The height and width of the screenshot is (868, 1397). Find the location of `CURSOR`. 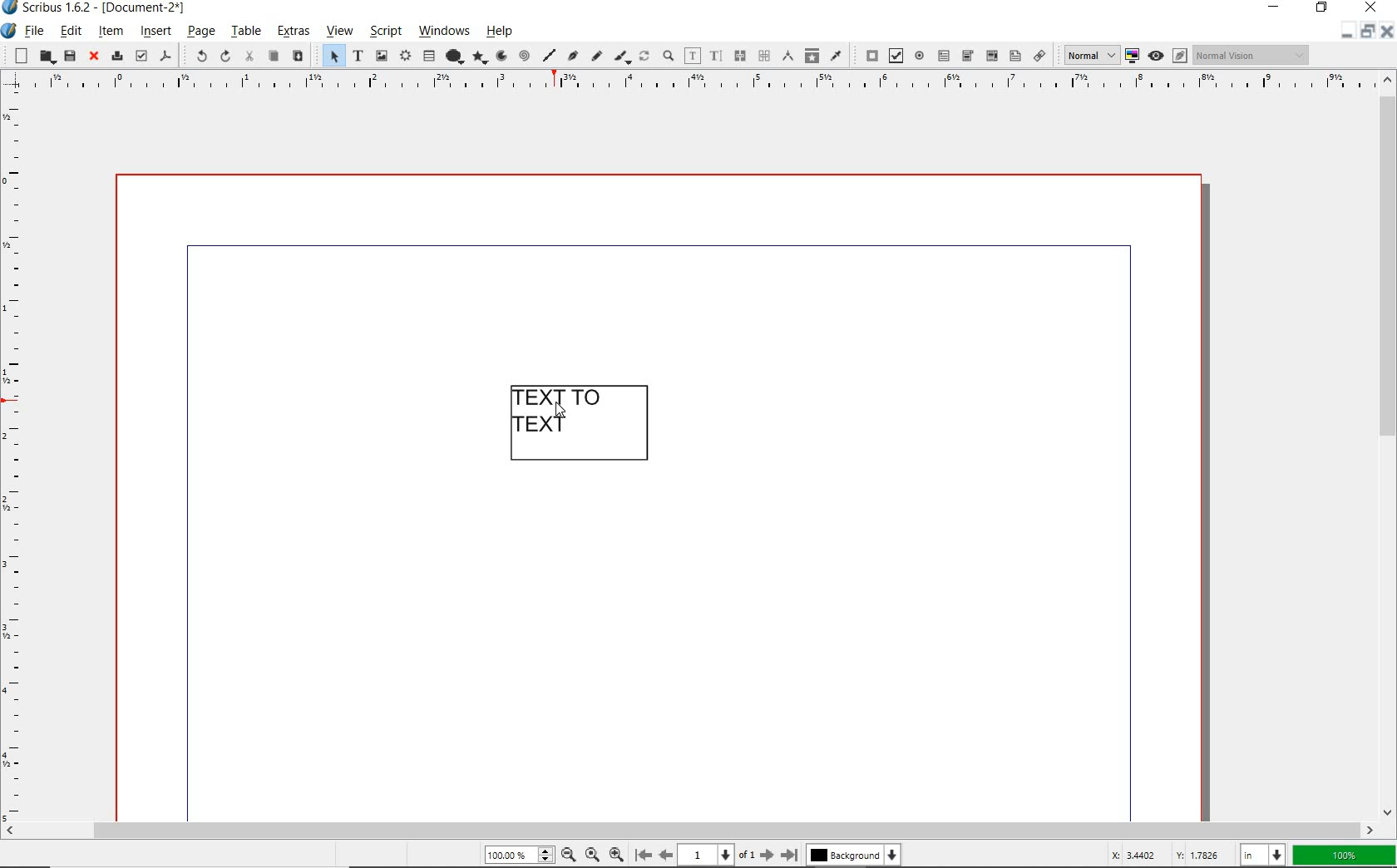

CURSOR is located at coordinates (560, 411).